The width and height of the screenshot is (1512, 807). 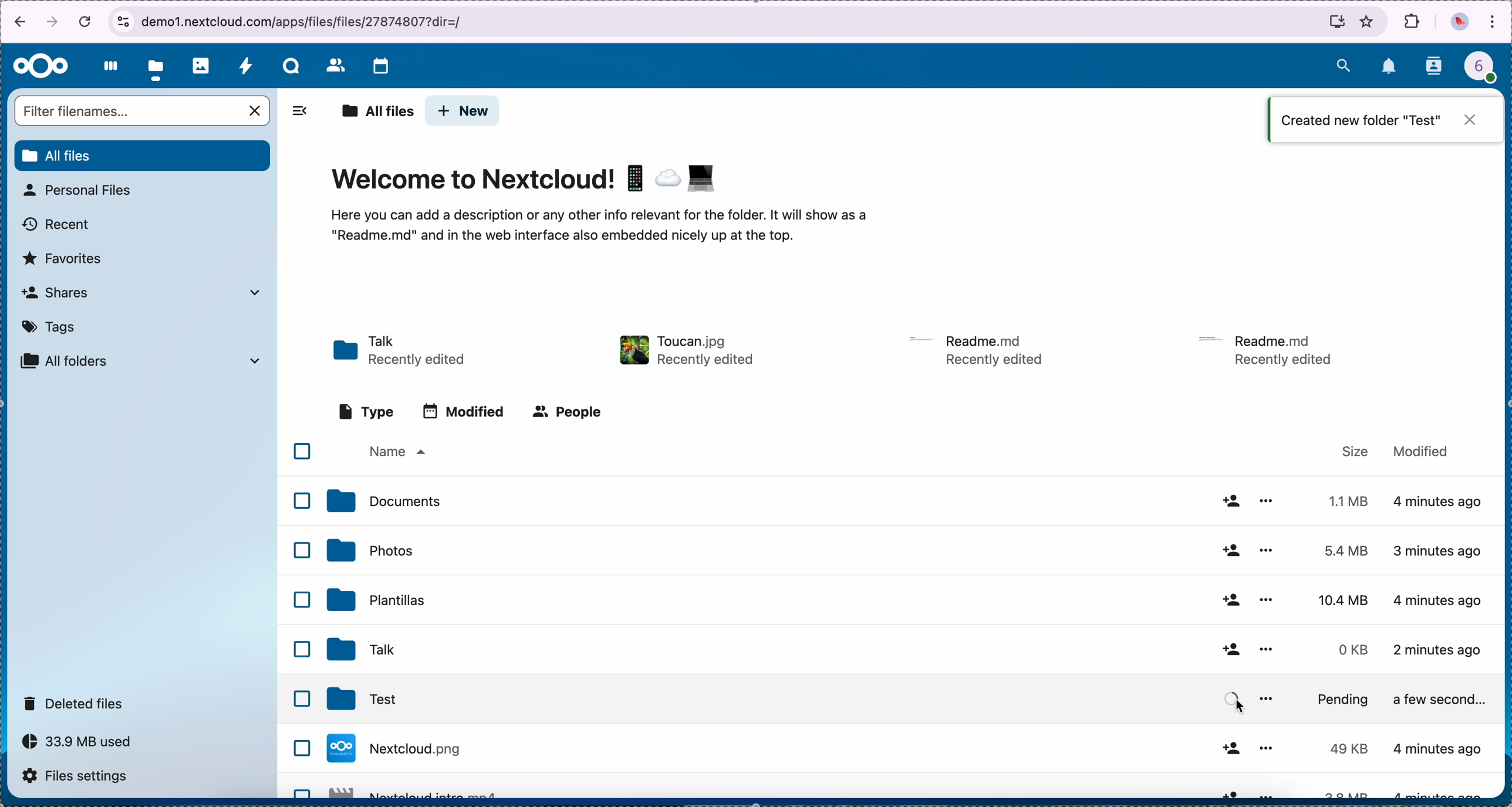 I want to click on shares, so click(x=140, y=292).